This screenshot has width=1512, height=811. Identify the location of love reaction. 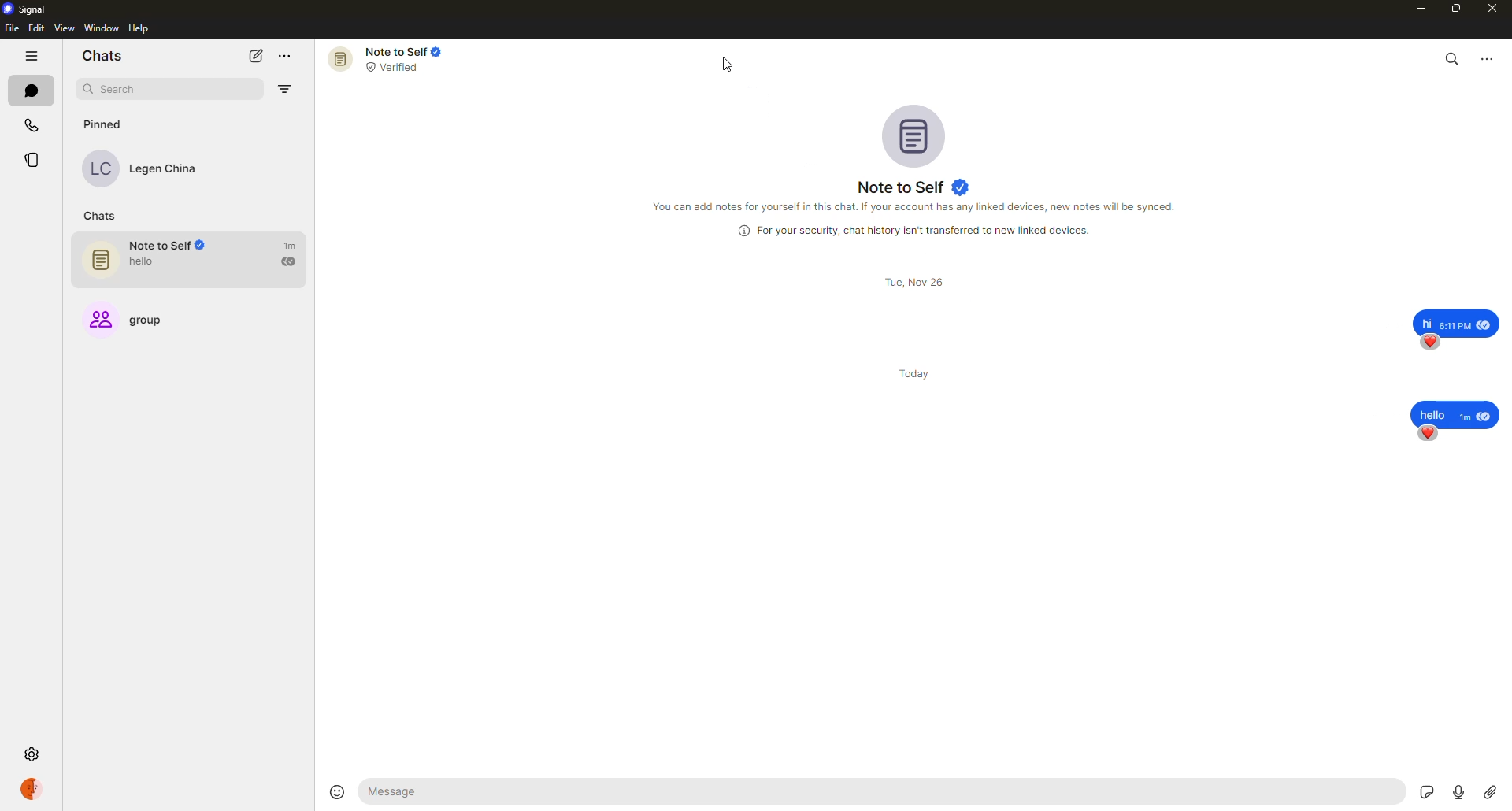
(1430, 342).